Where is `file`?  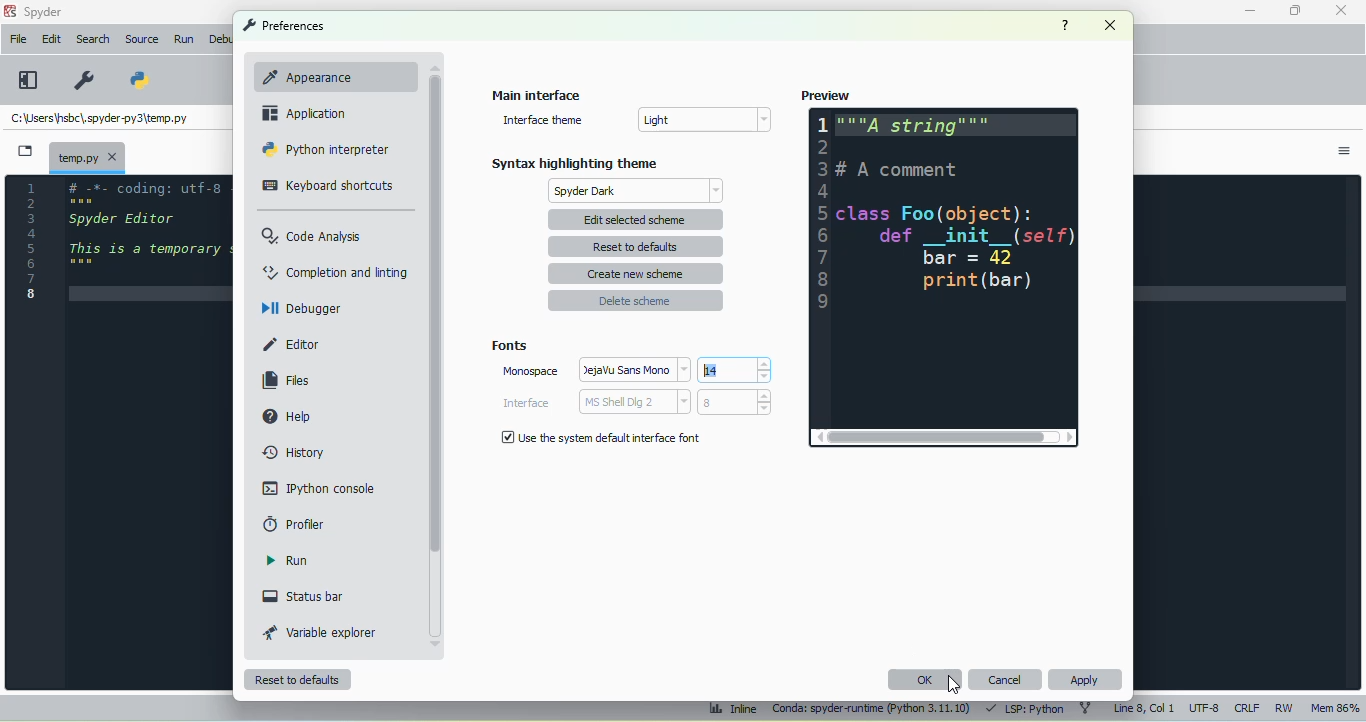
file is located at coordinates (18, 38).